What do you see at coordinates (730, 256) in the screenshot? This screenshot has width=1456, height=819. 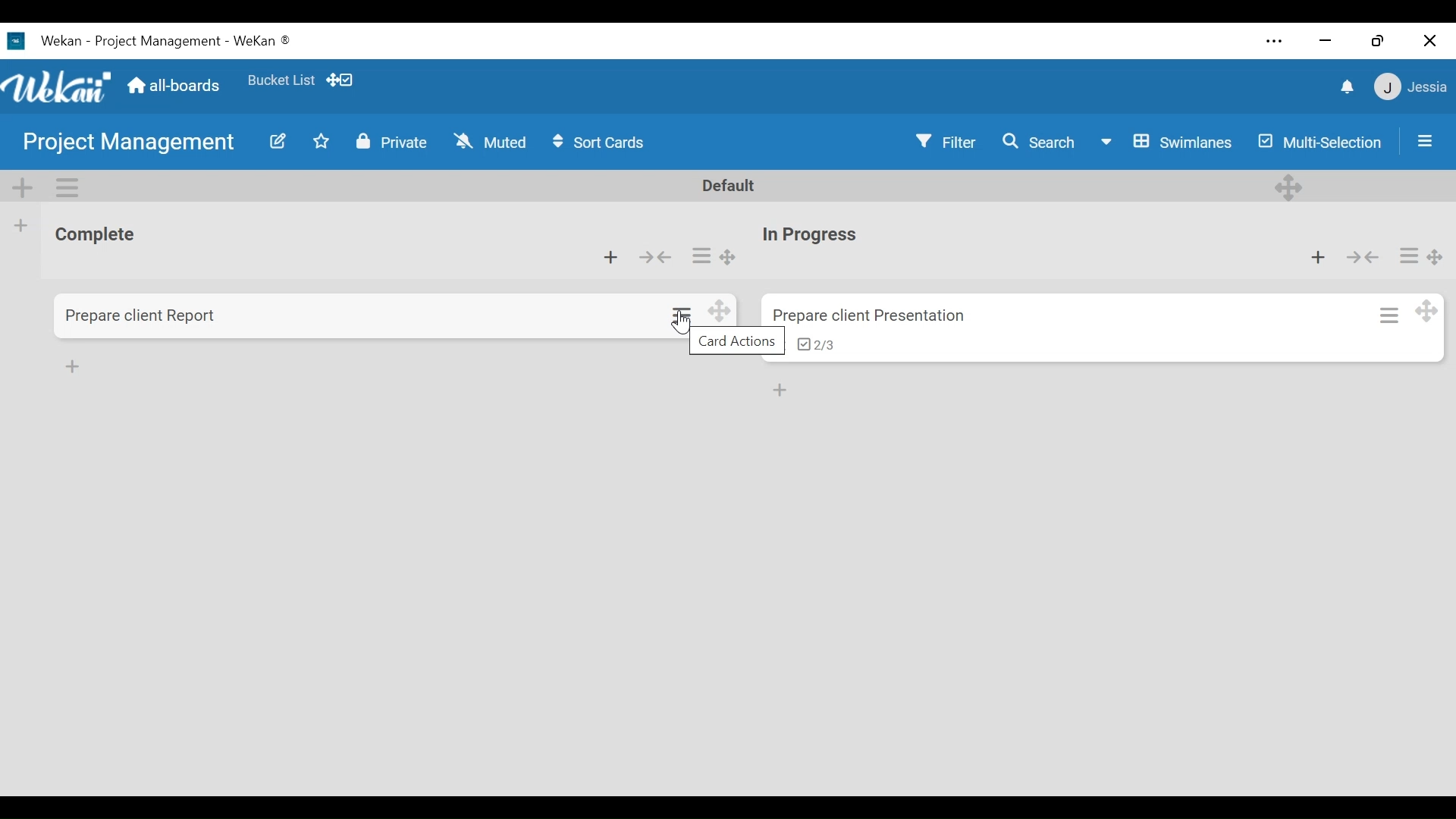 I see `Desktop drag handle` at bounding box center [730, 256].